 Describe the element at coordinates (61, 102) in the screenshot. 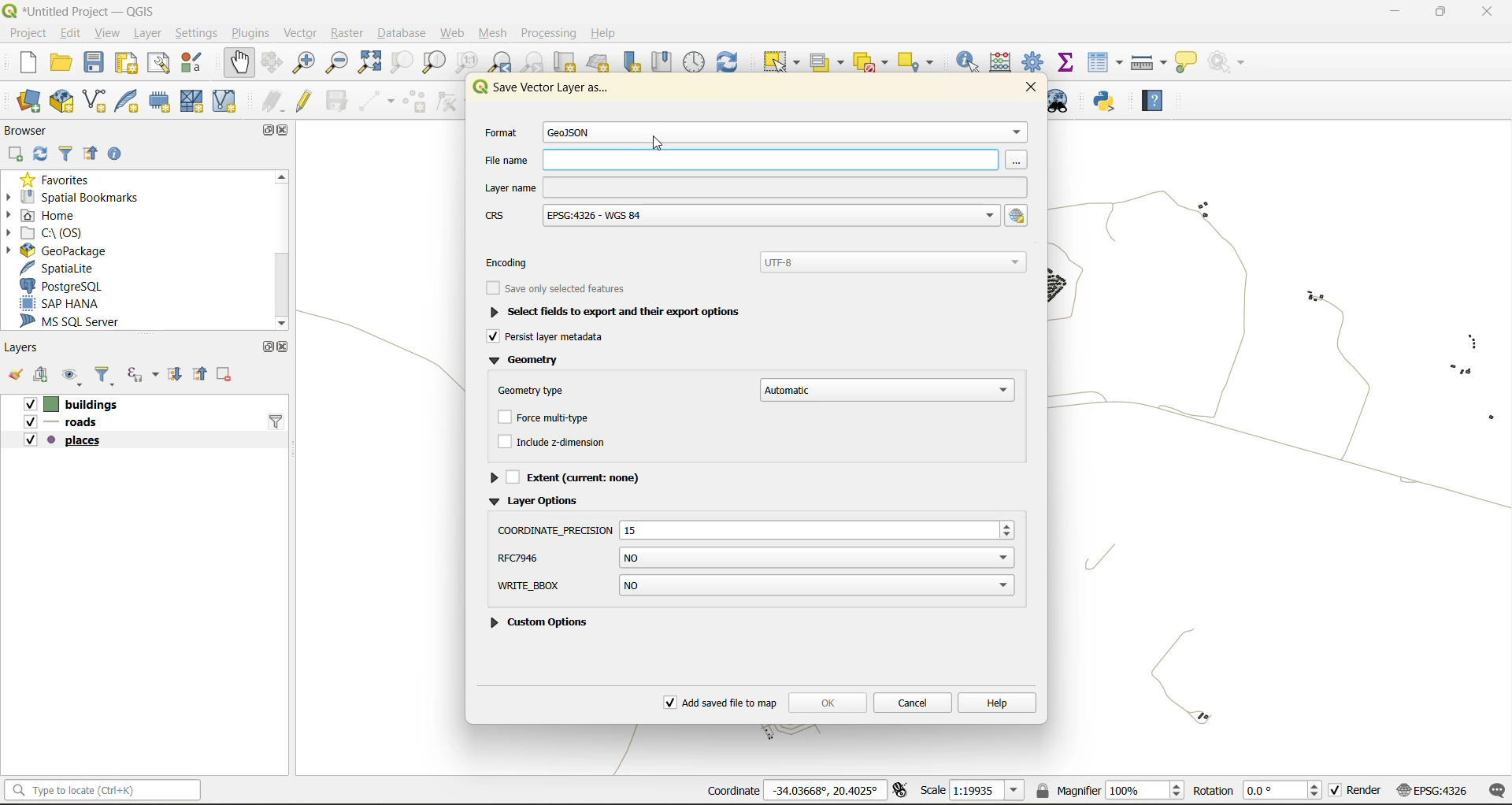

I see `new geopackage layer` at that location.